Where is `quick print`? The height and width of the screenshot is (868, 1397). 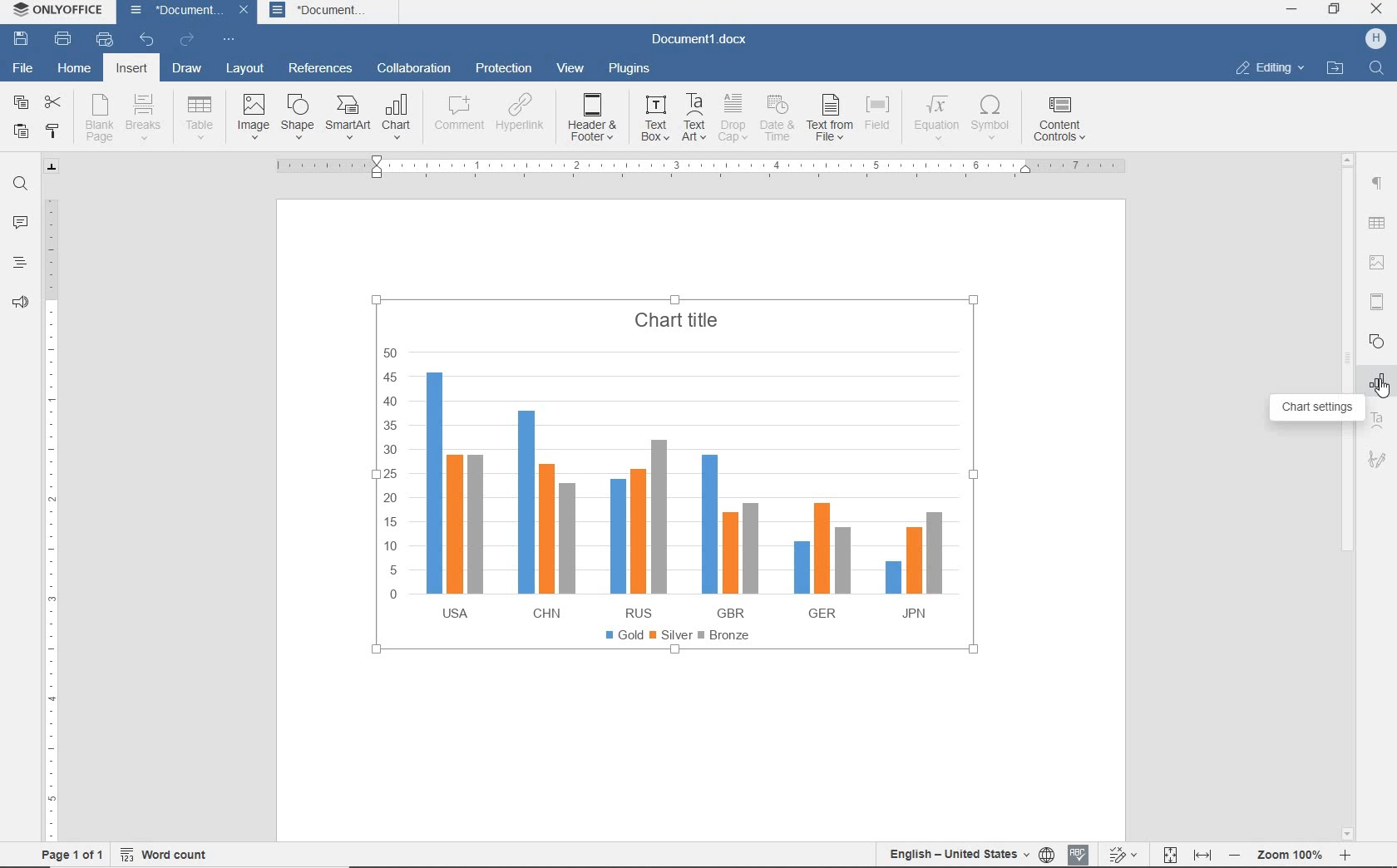 quick print is located at coordinates (103, 40).